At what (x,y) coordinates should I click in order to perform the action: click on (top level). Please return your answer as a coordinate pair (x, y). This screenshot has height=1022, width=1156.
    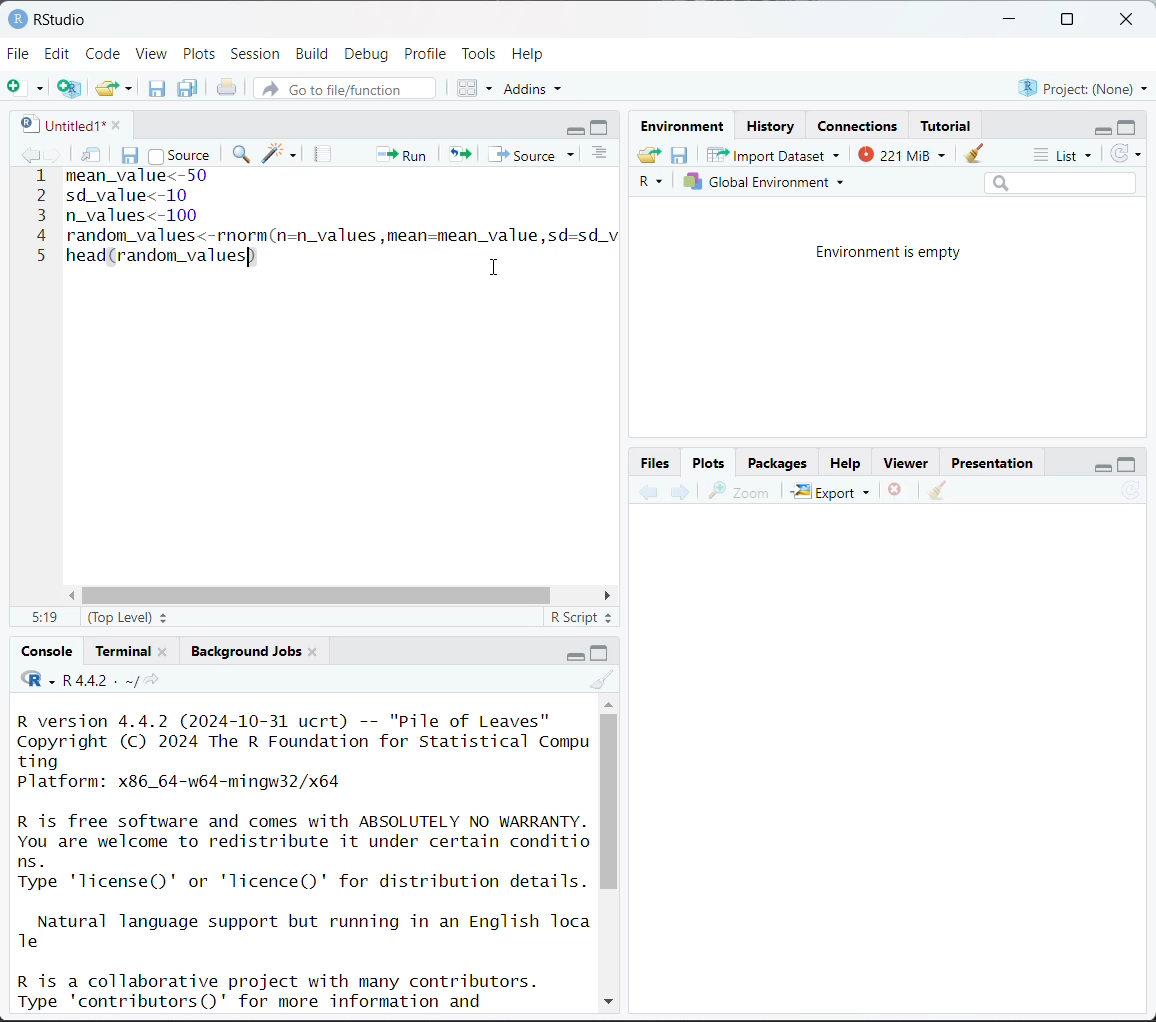
    Looking at the image, I should click on (130, 617).